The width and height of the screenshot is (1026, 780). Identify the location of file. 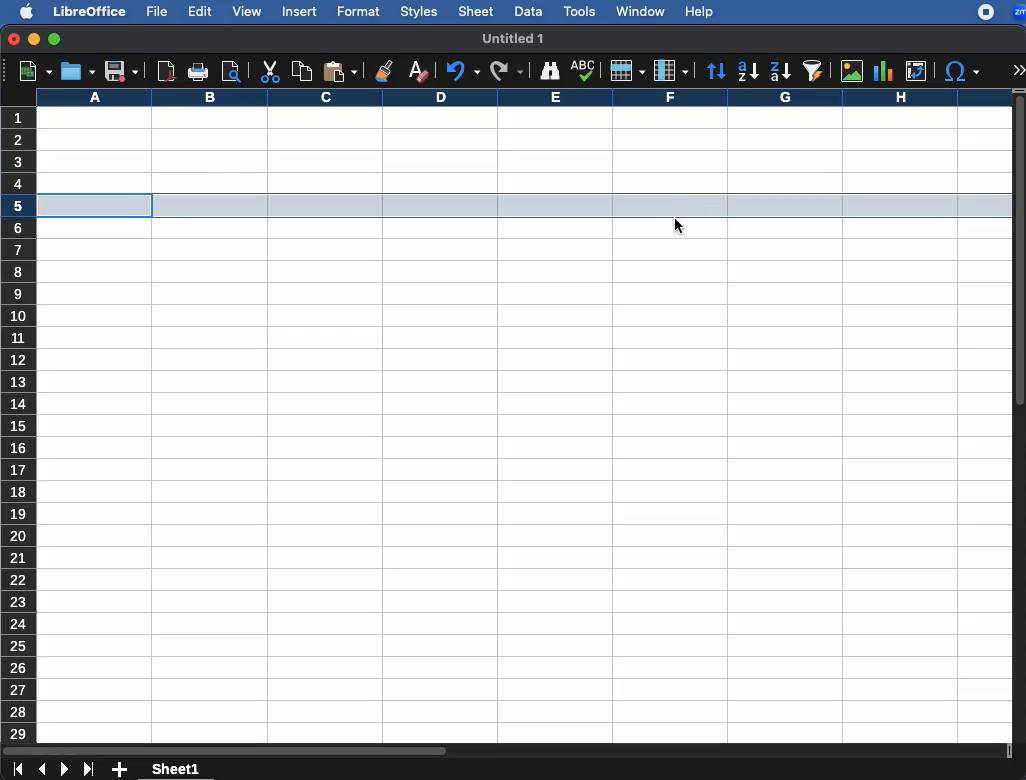
(156, 12).